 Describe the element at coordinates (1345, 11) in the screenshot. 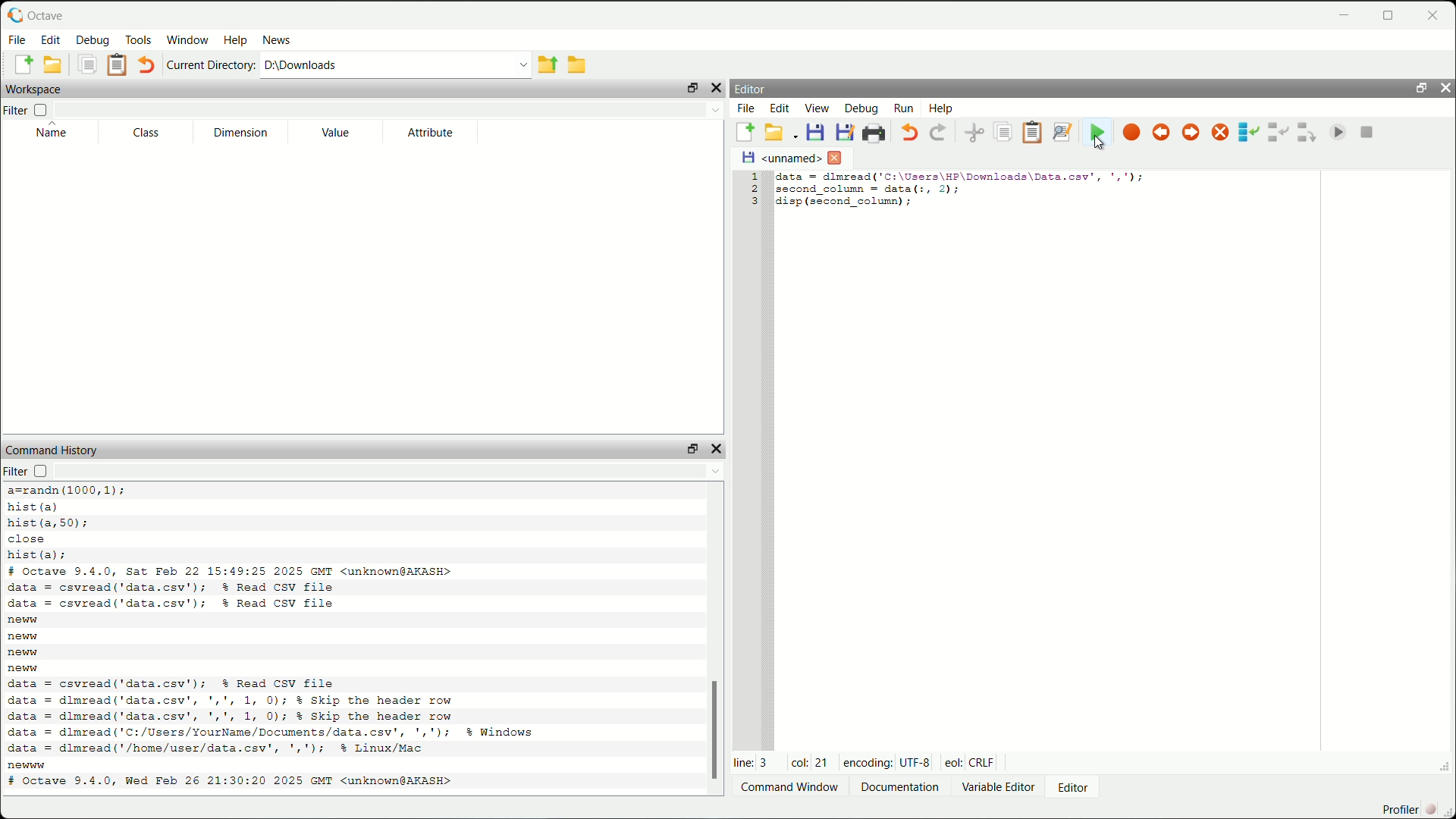

I see `minimize` at that location.